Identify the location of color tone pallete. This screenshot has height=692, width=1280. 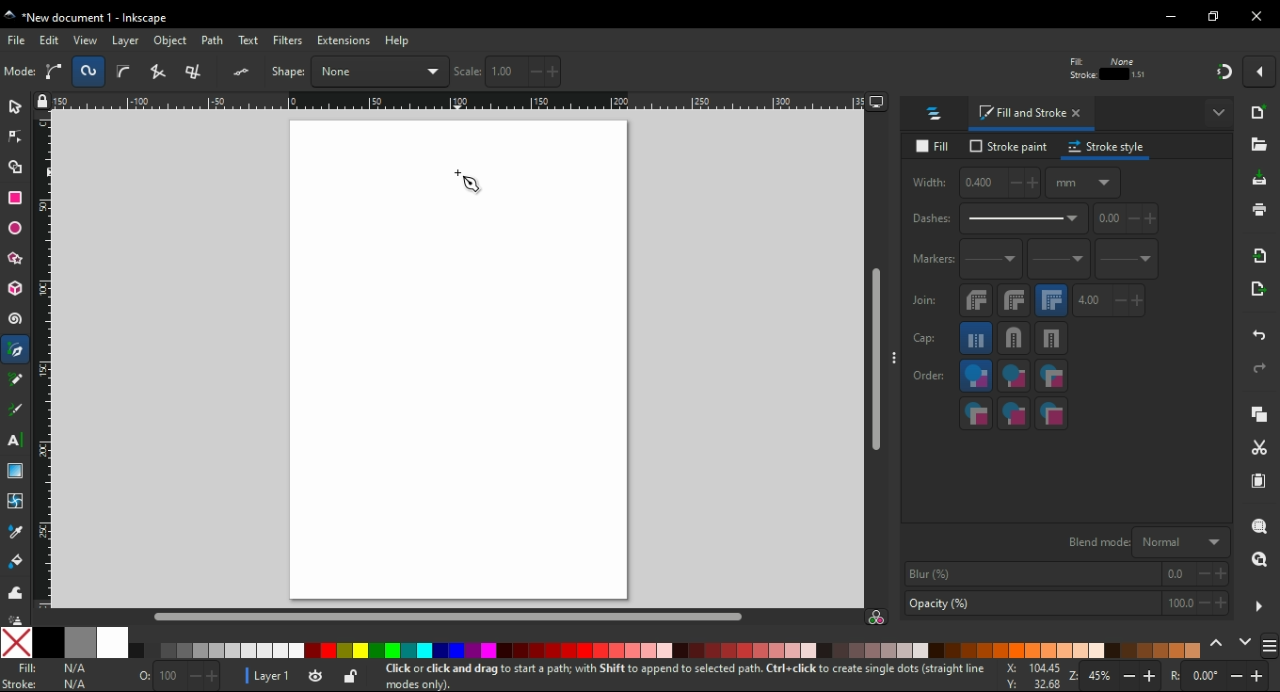
(599, 649).